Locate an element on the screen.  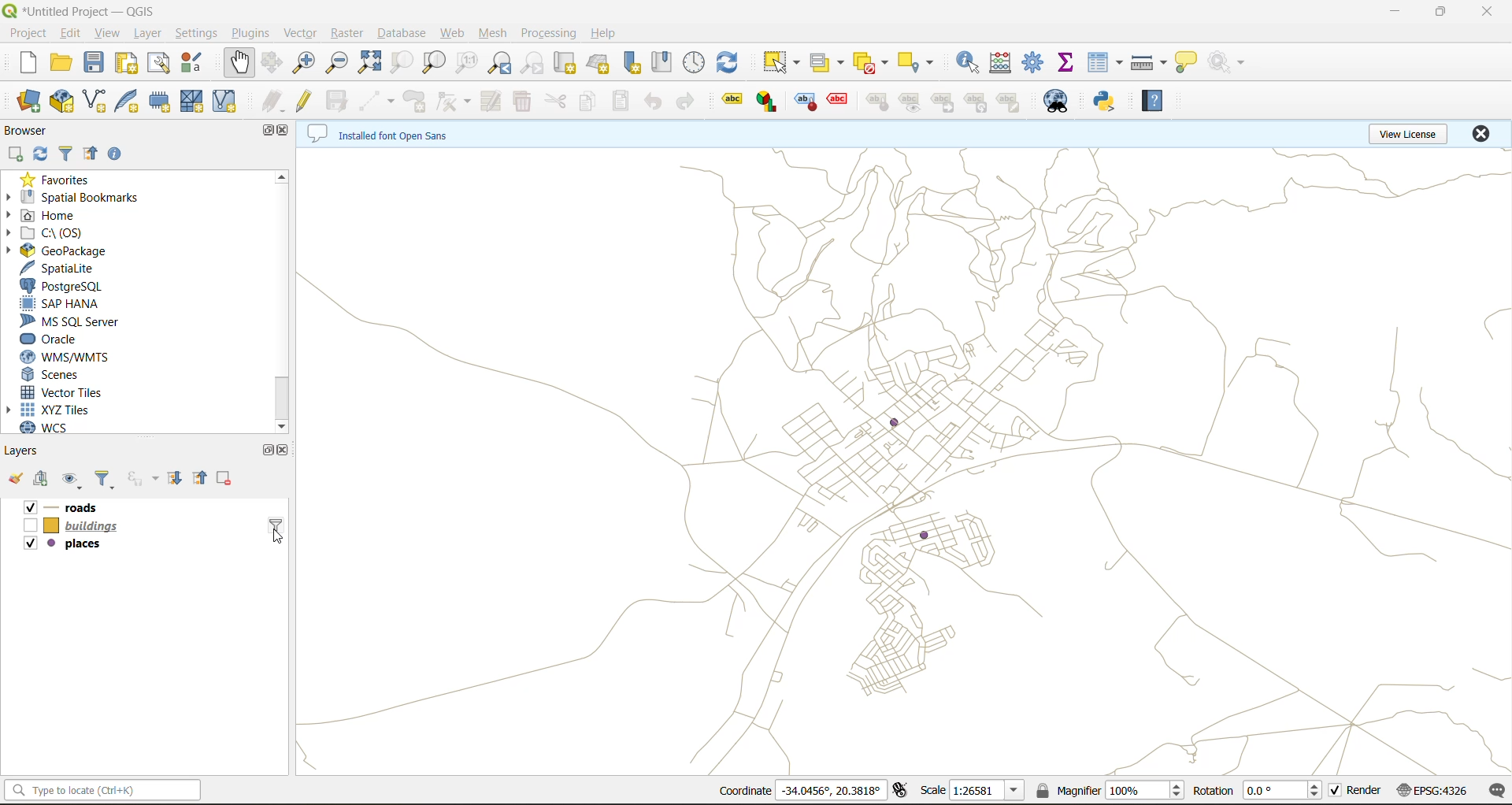
layers is located at coordinates (80, 545).